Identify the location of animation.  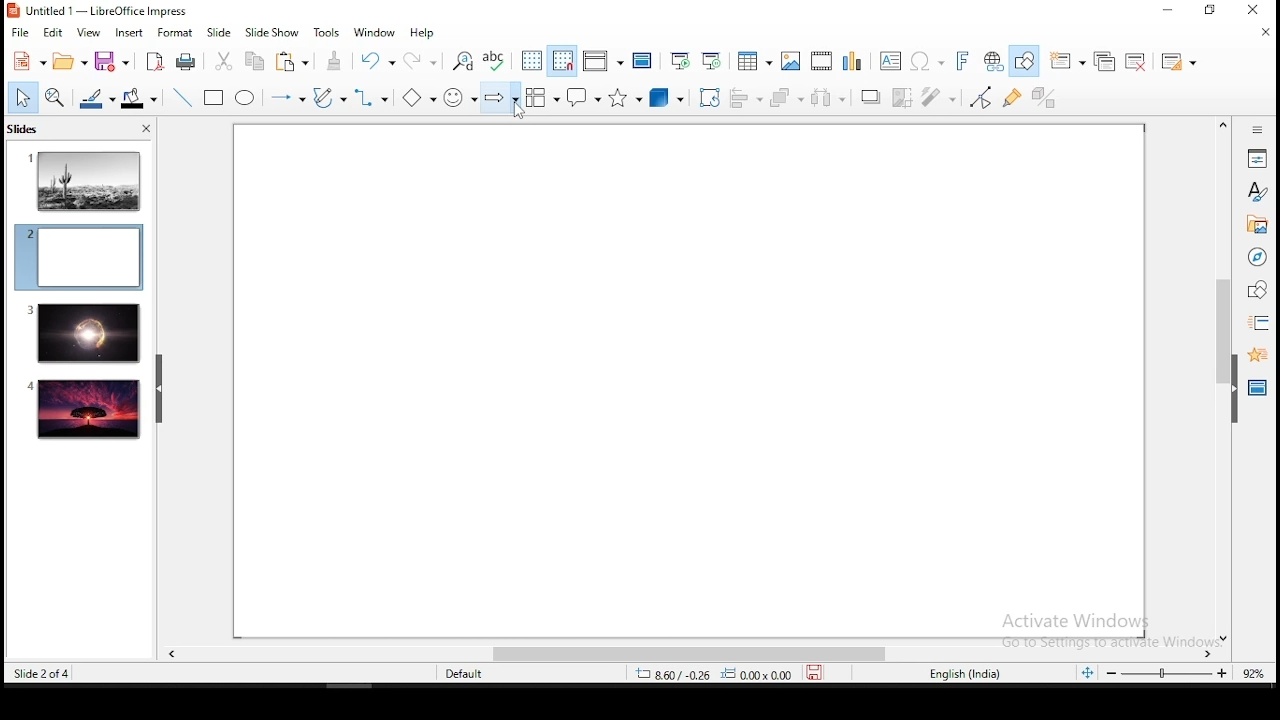
(1255, 353).